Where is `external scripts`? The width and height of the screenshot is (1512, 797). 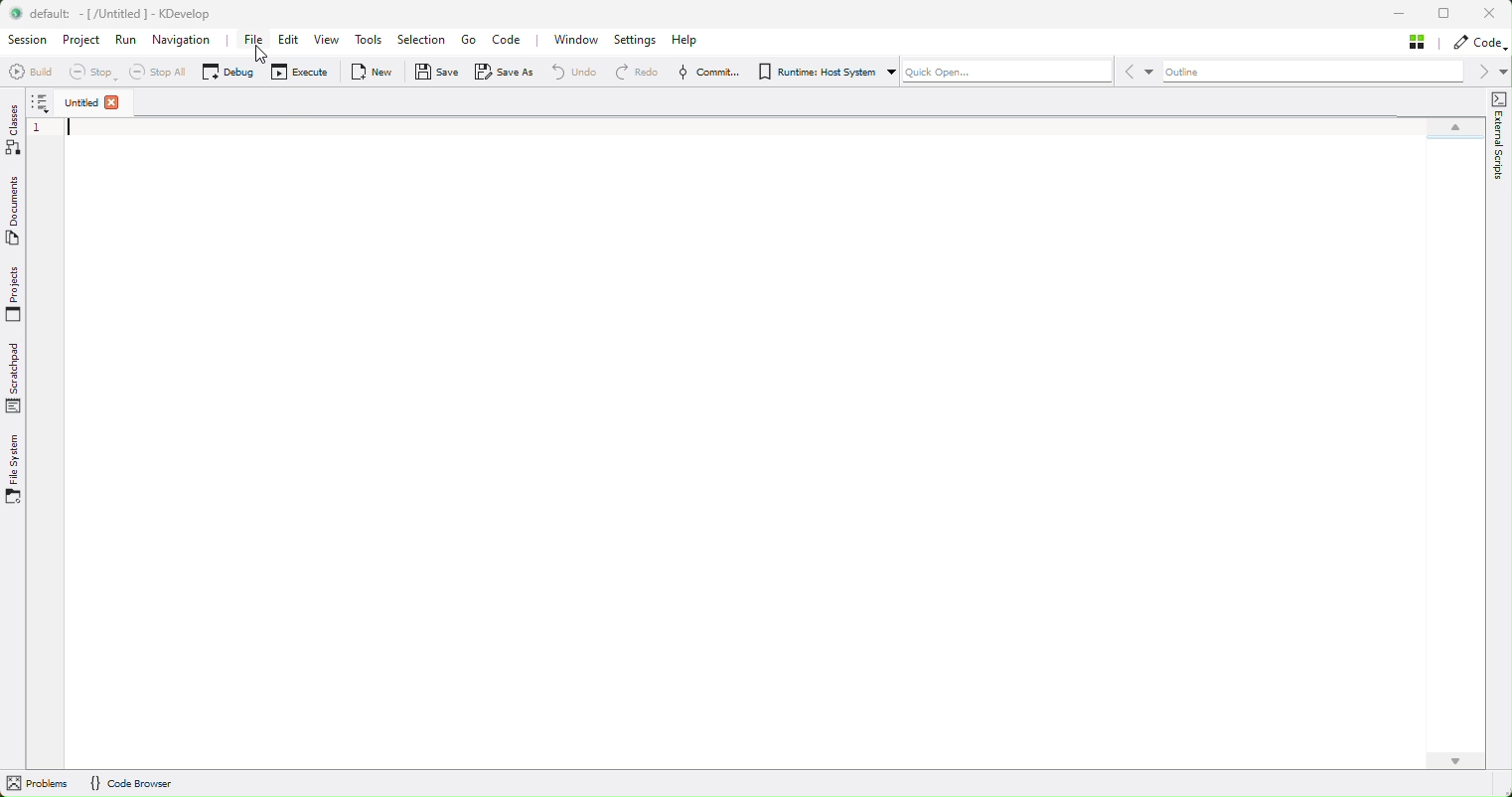 external scripts is located at coordinates (1497, 137).